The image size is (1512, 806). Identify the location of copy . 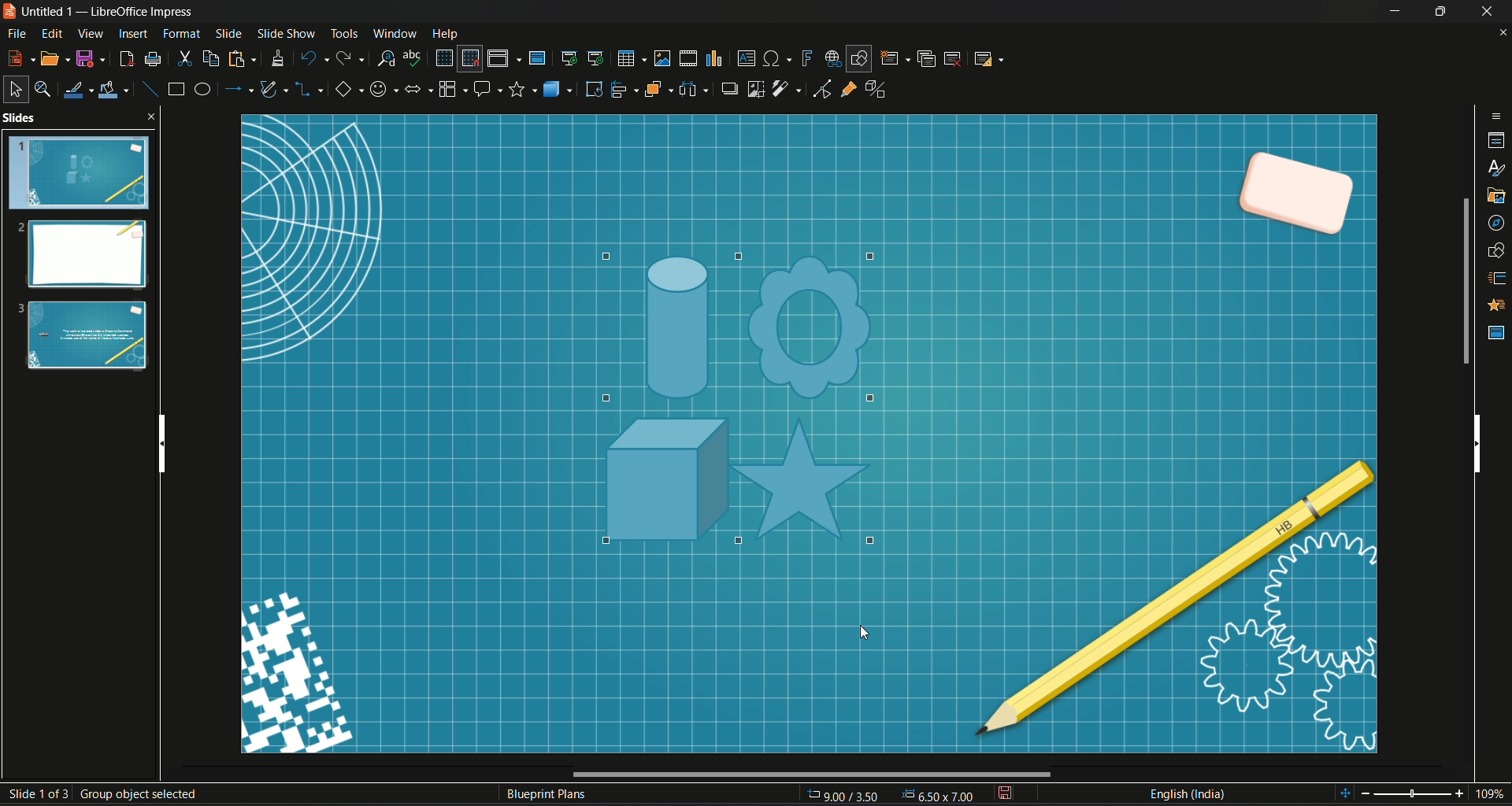
(211, 59).